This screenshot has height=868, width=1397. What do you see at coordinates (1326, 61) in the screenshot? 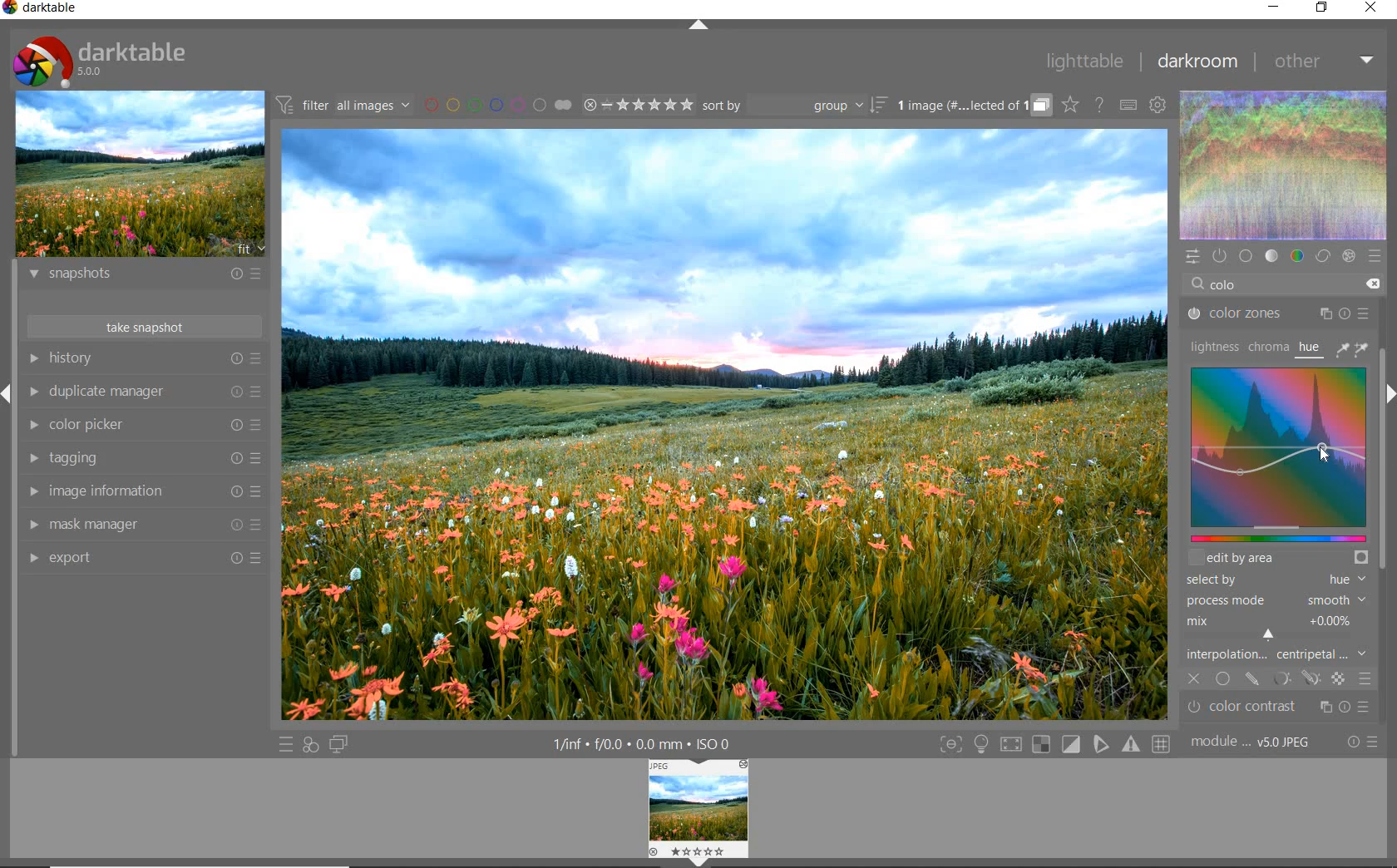
I see `other` at bounding box center [1326, 61].